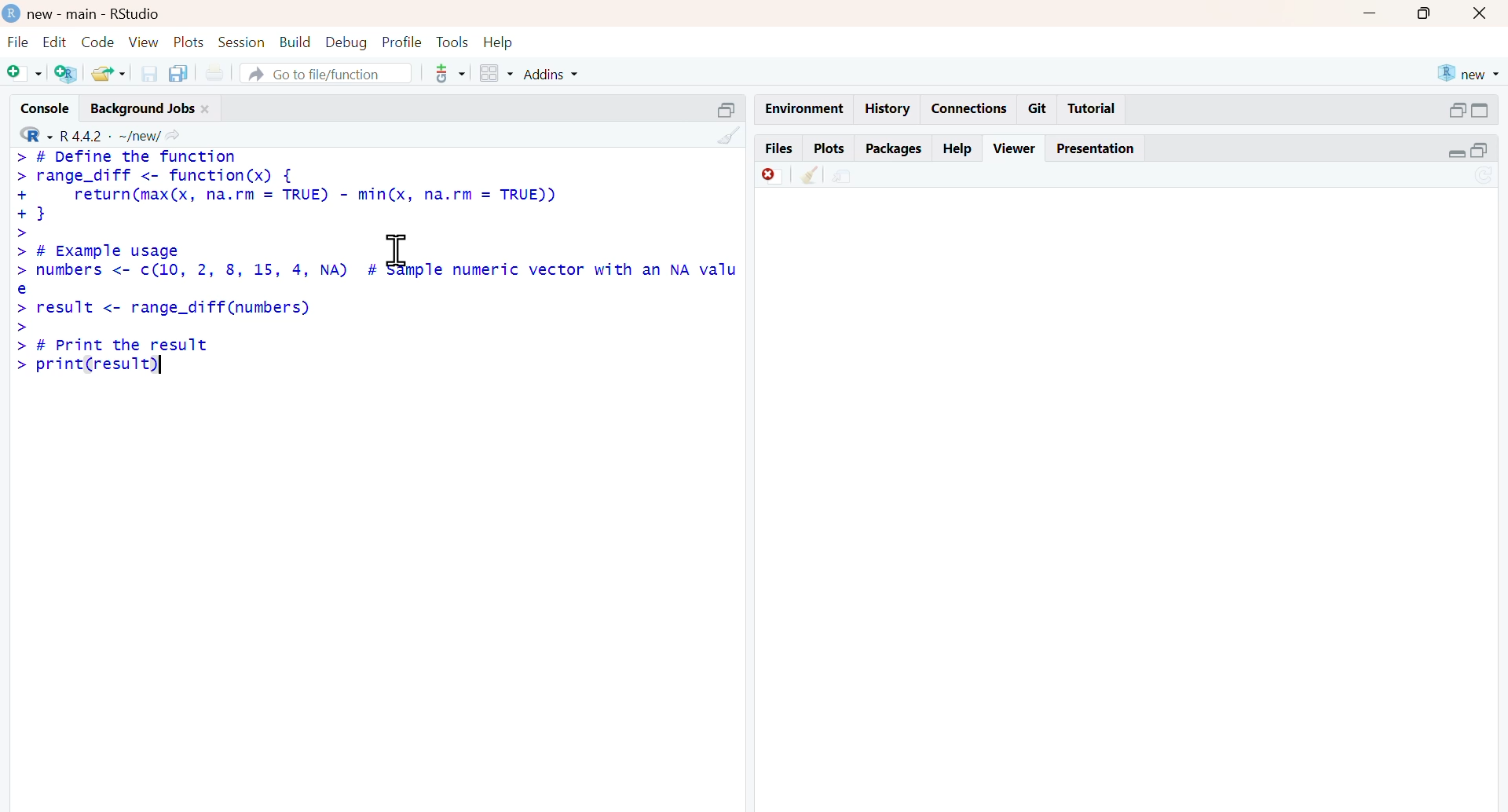 This screenshot has width=1508, height=812. I want to click on tutorial, so click(1093, 109).